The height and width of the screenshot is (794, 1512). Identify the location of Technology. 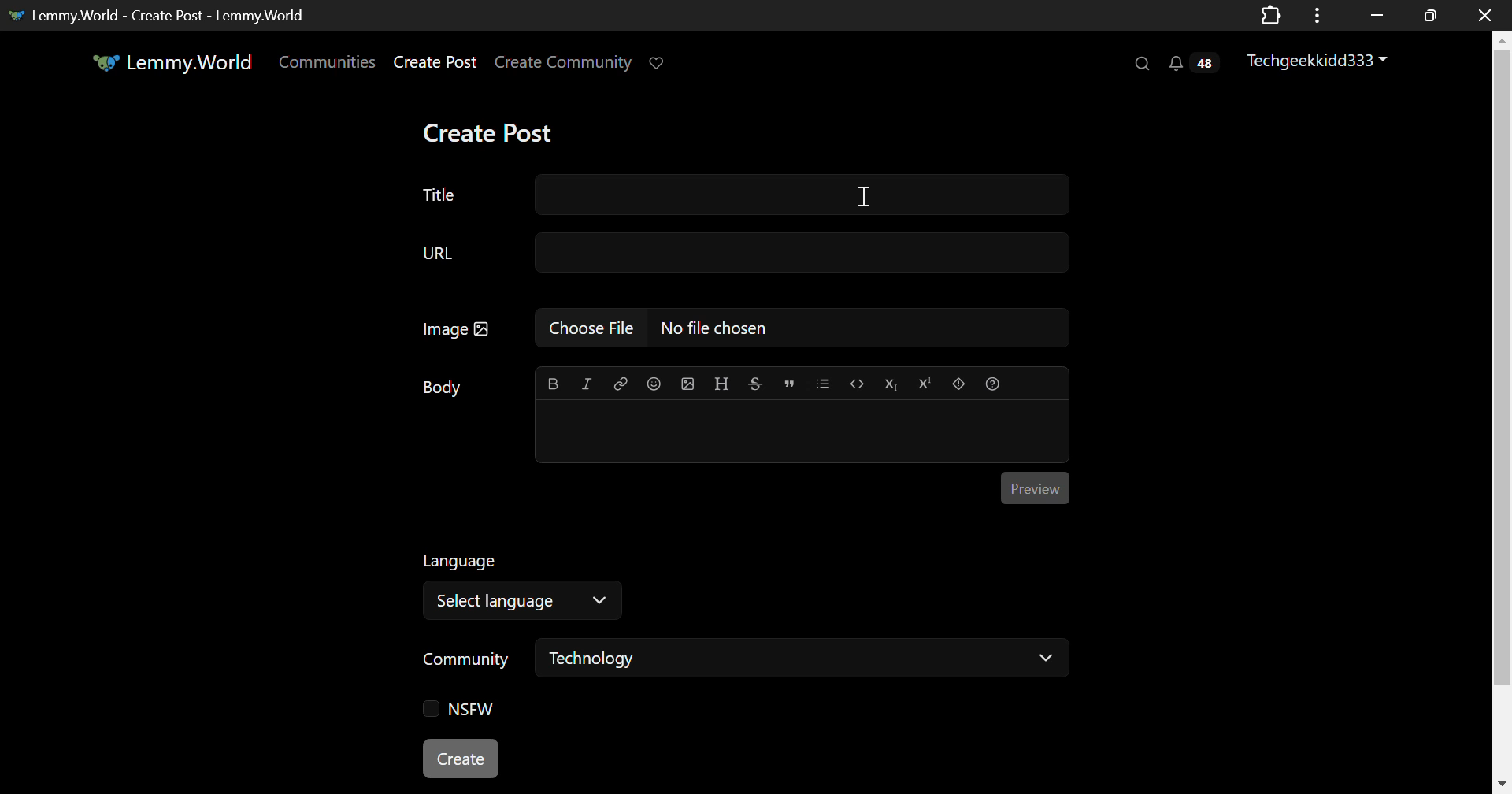
(803, 662).